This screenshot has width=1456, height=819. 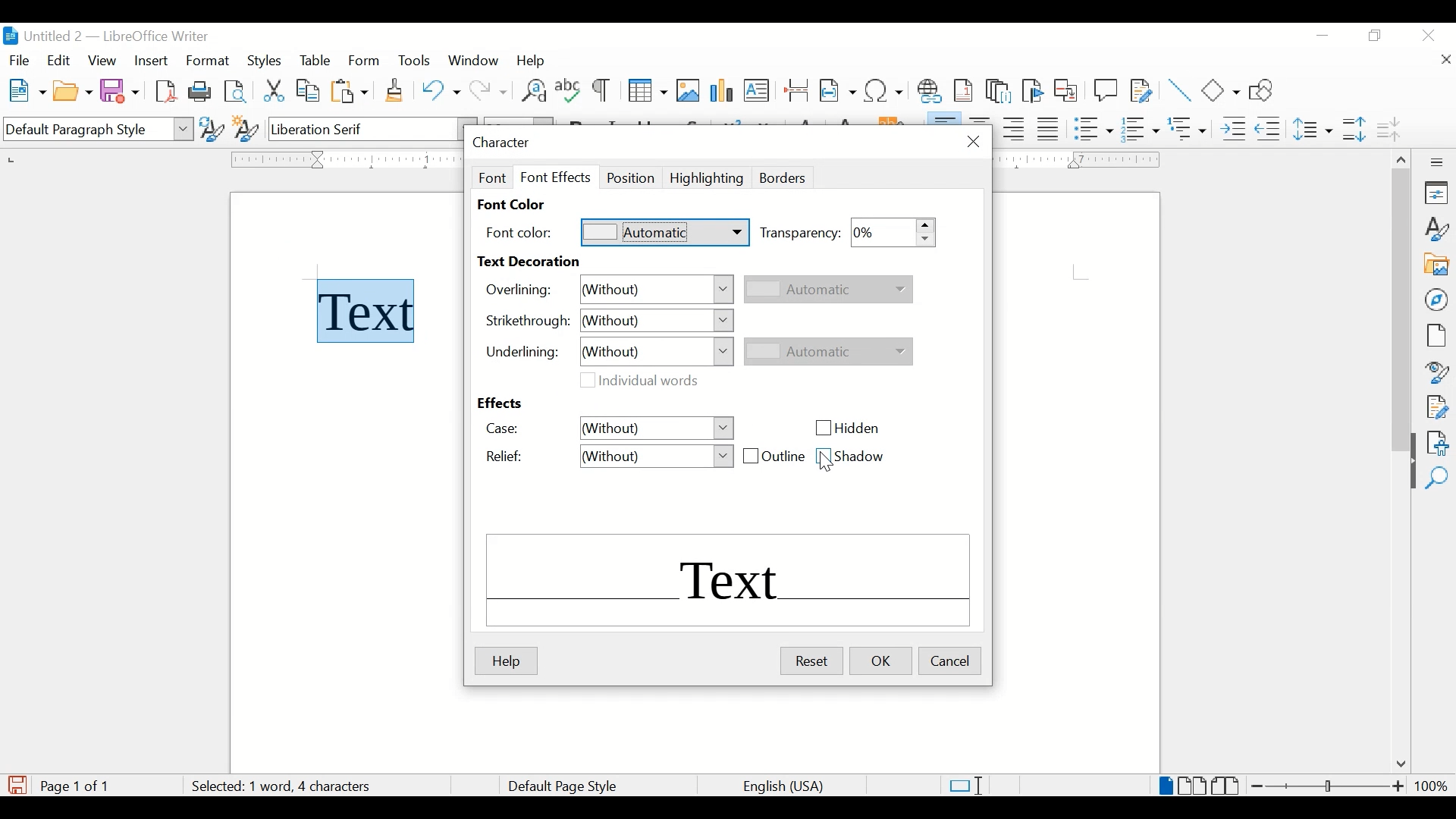 What do you see at coordinates (1015, 129) in the screenshot?
I see `align right` at bounding box center [1015, 129].